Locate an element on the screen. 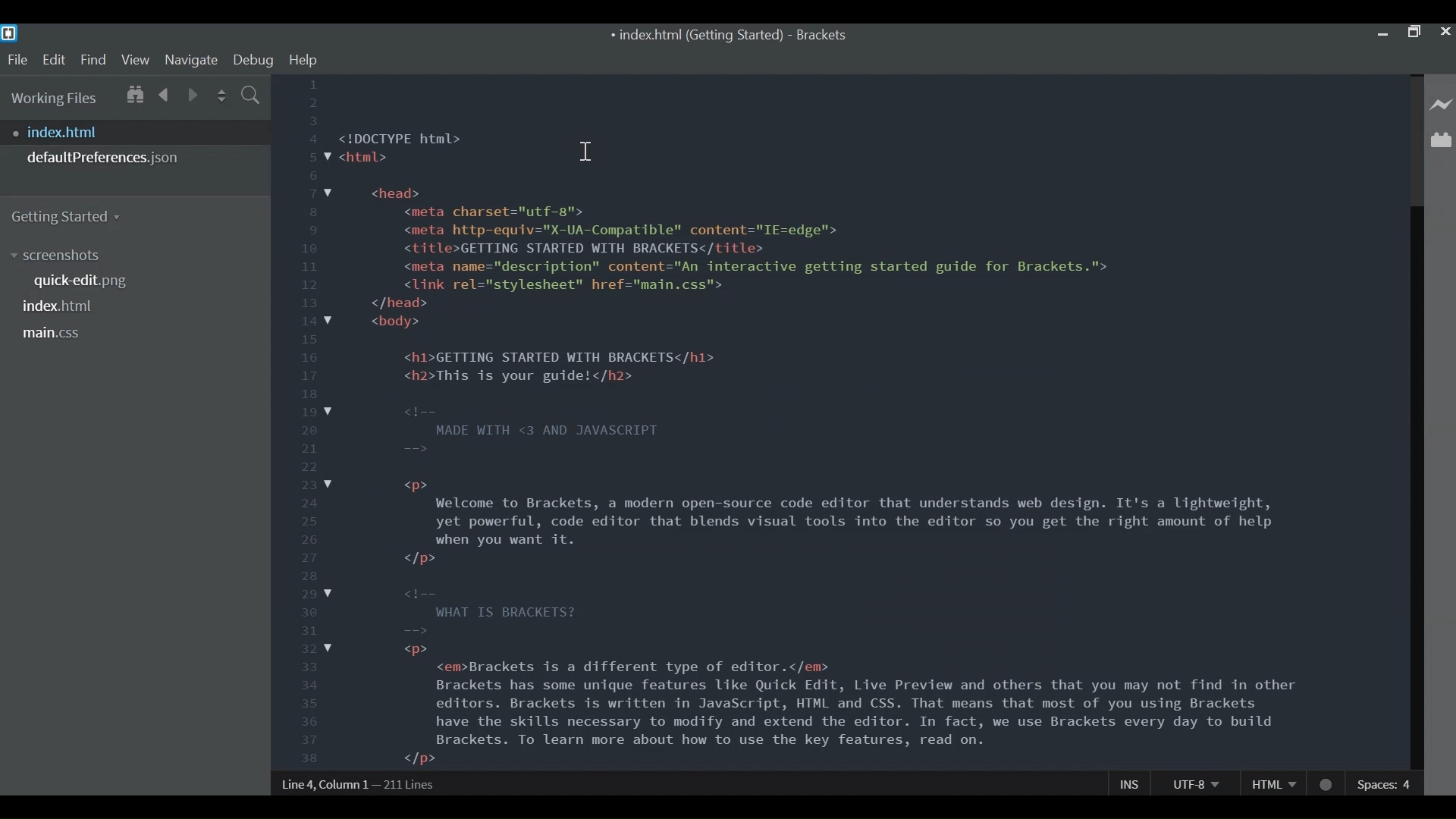 Image resolution: width=1456 pixels, height=819 pixels. defaultPreferences.json is located at coordinates (135, 158).